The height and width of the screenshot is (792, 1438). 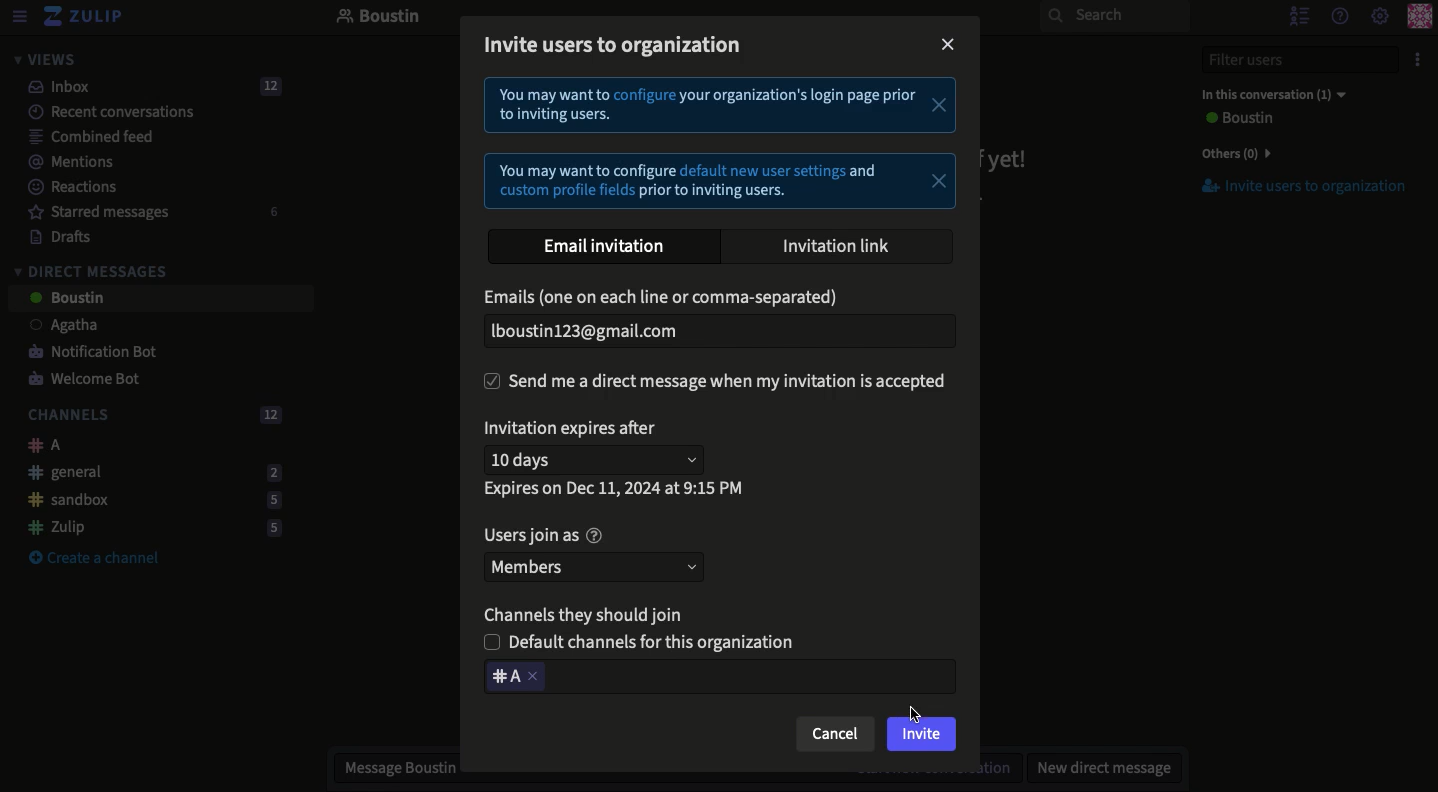 I want to click on Recent conversations, so click(x=99, y=111).